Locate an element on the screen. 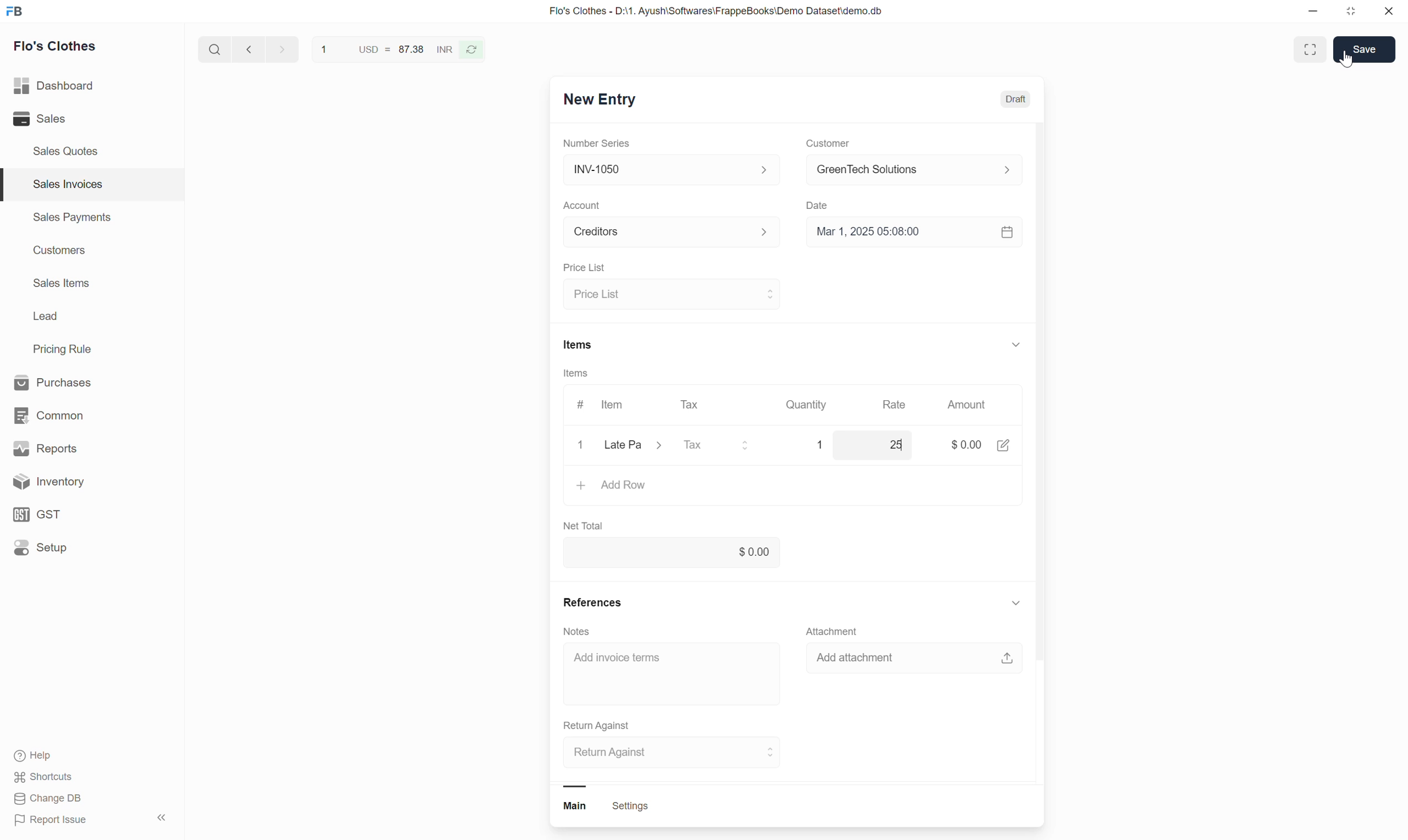 This screenshot has width=1408, height=840. go back  is located at coordinates (248, 52).